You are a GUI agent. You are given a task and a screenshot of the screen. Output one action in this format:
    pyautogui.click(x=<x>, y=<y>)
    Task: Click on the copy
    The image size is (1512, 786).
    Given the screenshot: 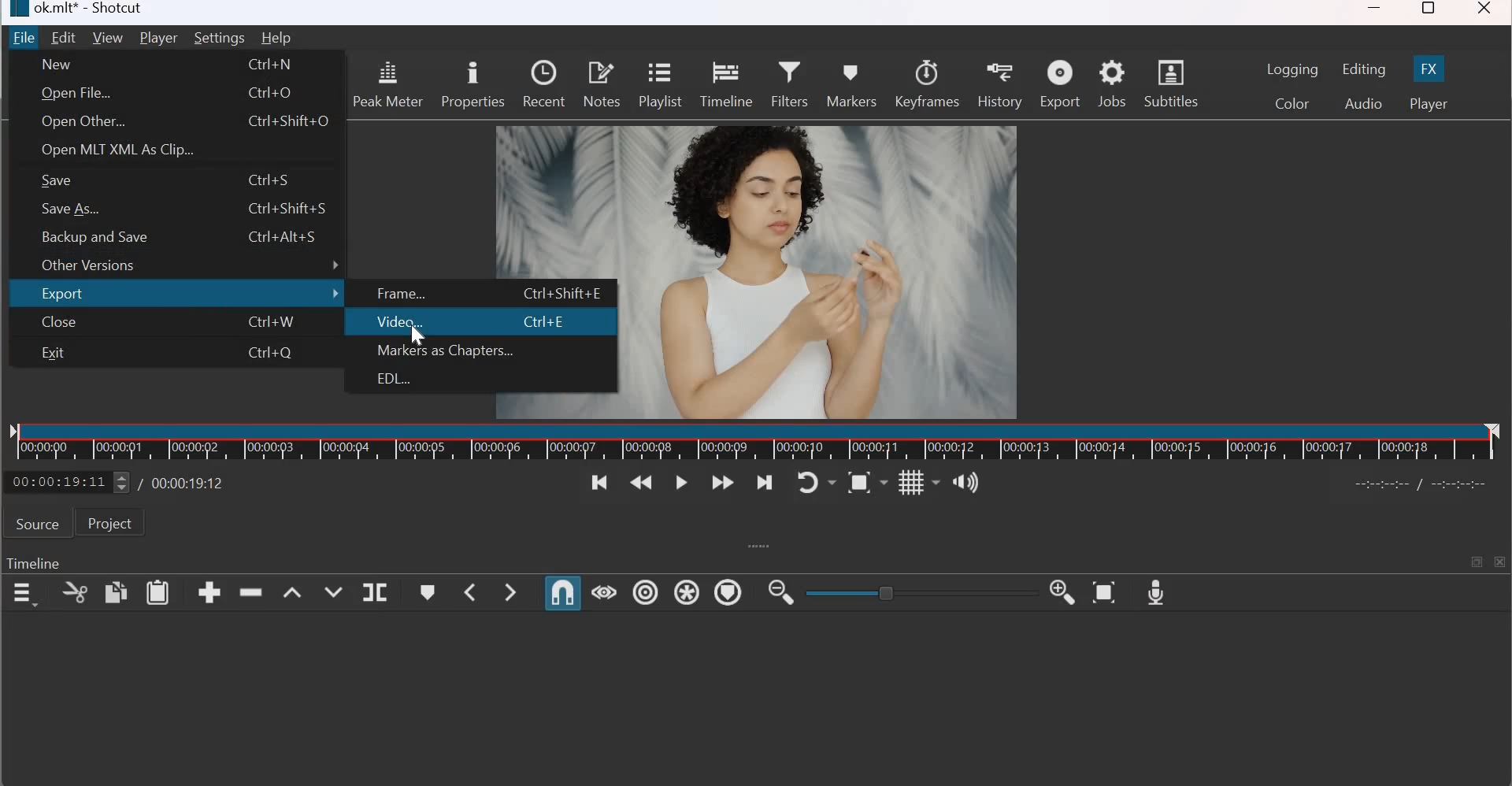 What is the action you would take?
    pyautogui.click(x=115, y=592)
    